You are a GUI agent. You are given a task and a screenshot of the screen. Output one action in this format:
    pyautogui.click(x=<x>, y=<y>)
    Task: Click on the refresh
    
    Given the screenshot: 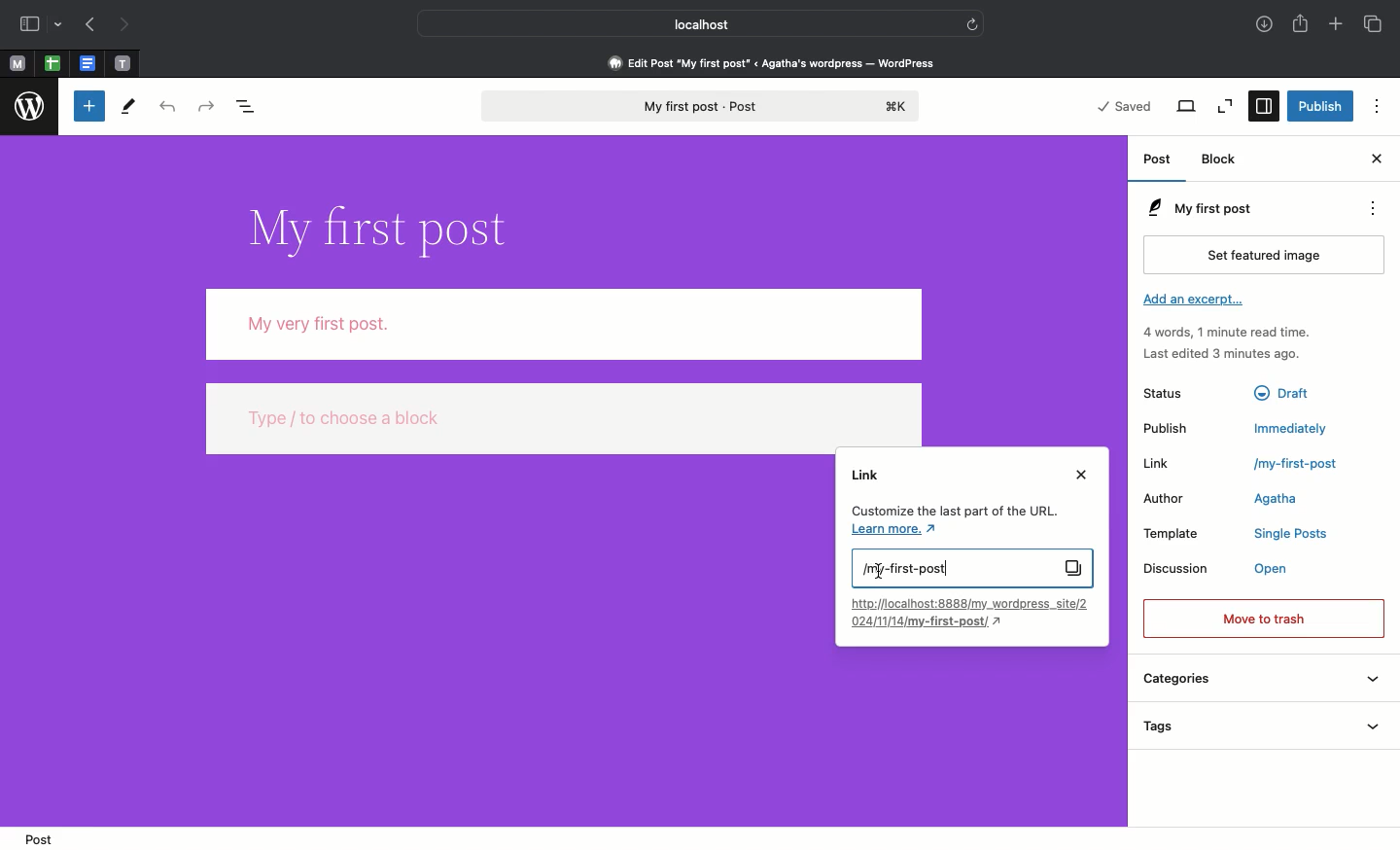 What is the action you would take?
    pyautogui.click(x=974, y=23)
    